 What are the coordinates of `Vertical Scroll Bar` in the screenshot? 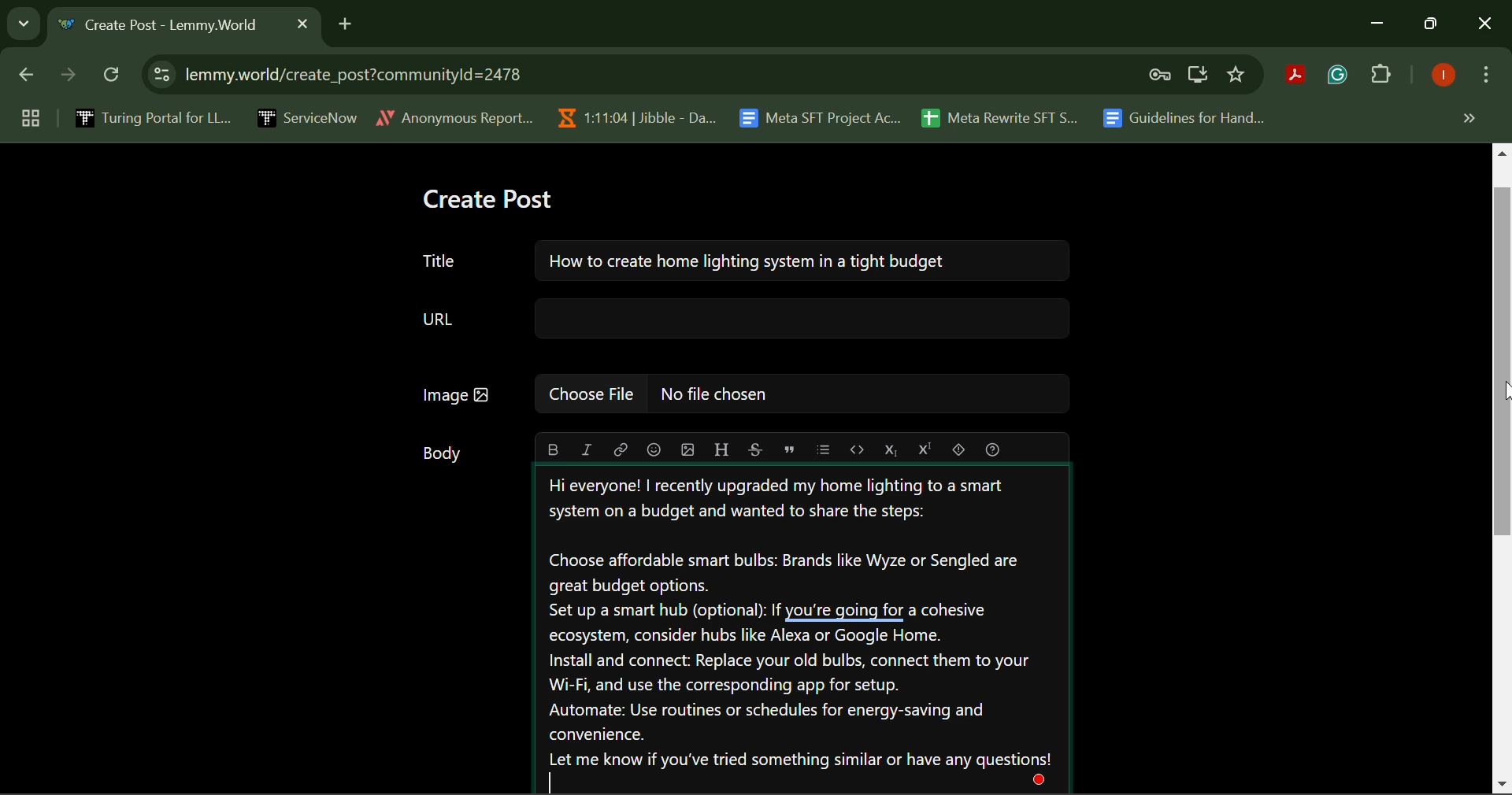 It's located at (1503, 469).